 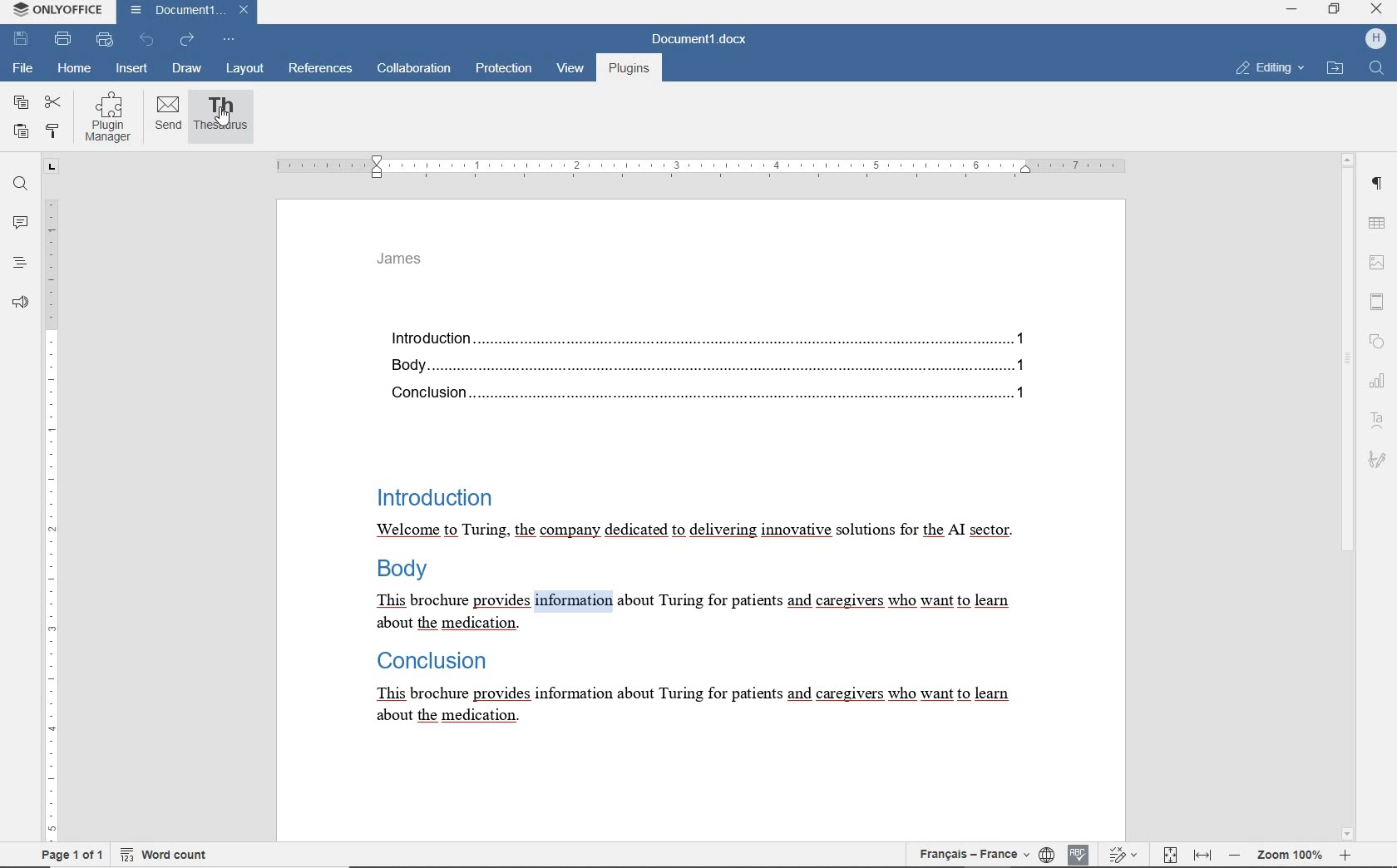 What do you see at coordinates (188, 41) in the screenshot?
I see `REDO` at bounding box center [188, 41].